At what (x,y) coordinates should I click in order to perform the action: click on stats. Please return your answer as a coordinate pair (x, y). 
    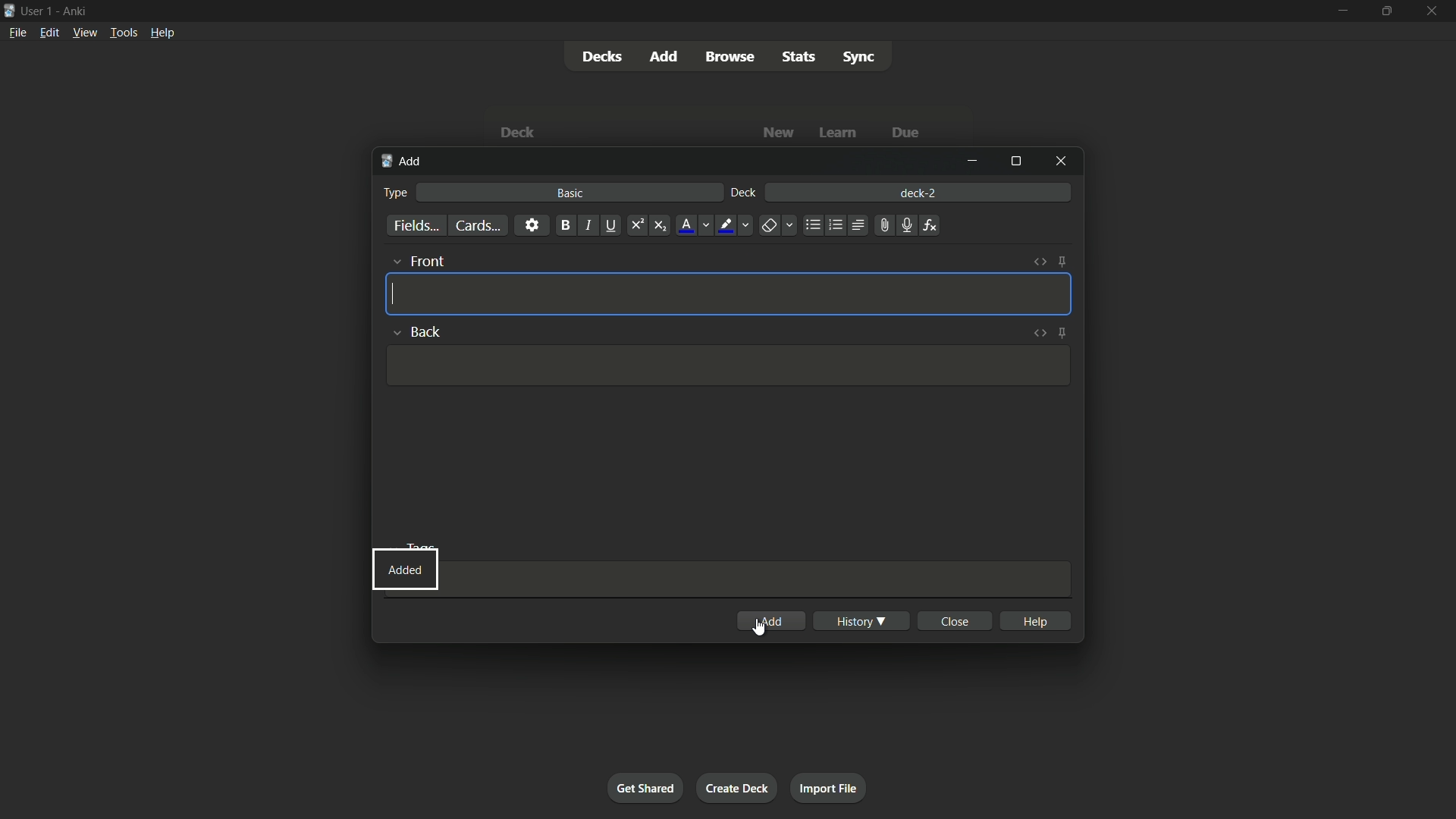
    Looking at the image, I should click on (799, 56).